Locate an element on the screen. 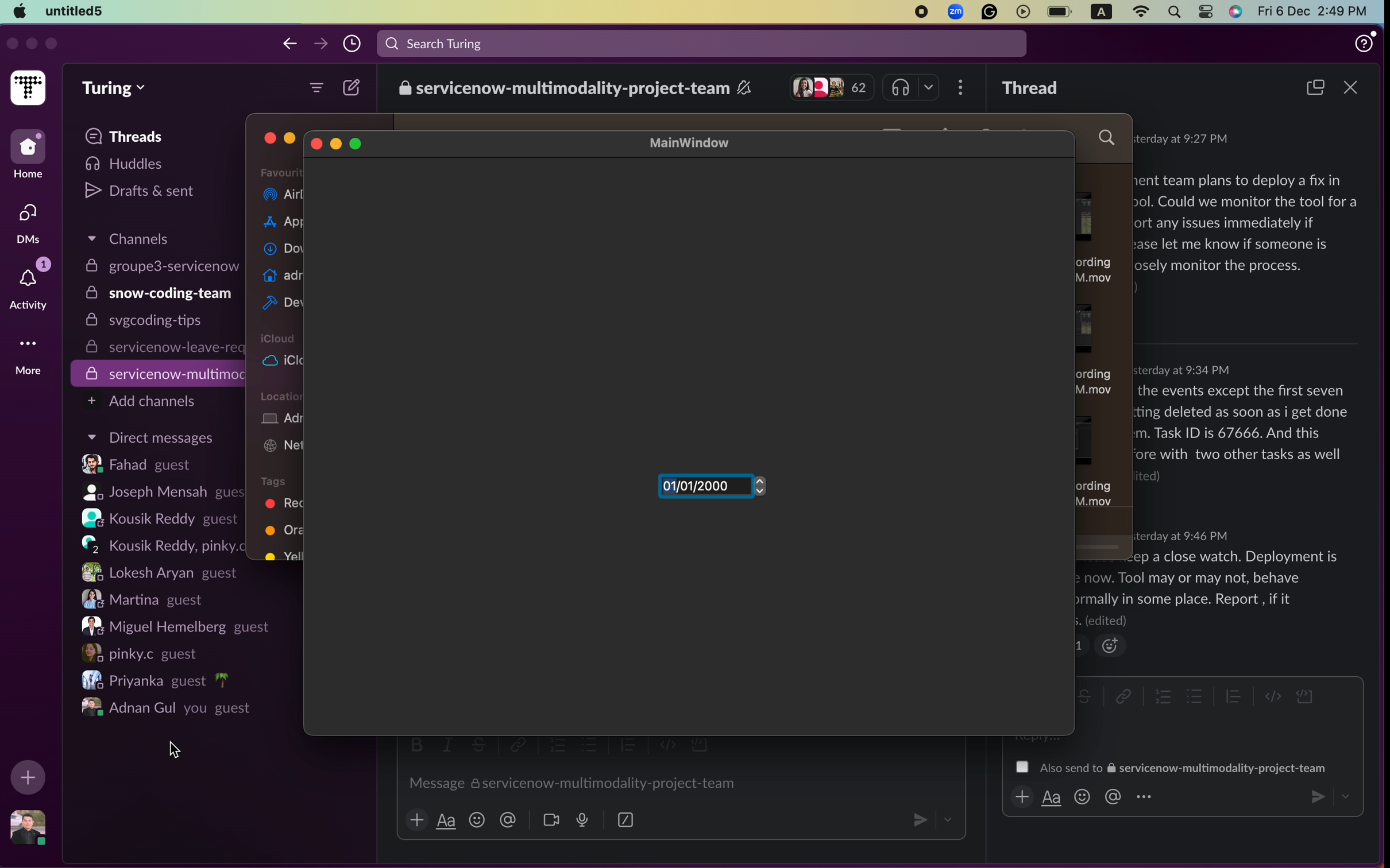 Image resolution: width=1390 pixels, height=868 pixels. search is located at coordinates (1174, 11).